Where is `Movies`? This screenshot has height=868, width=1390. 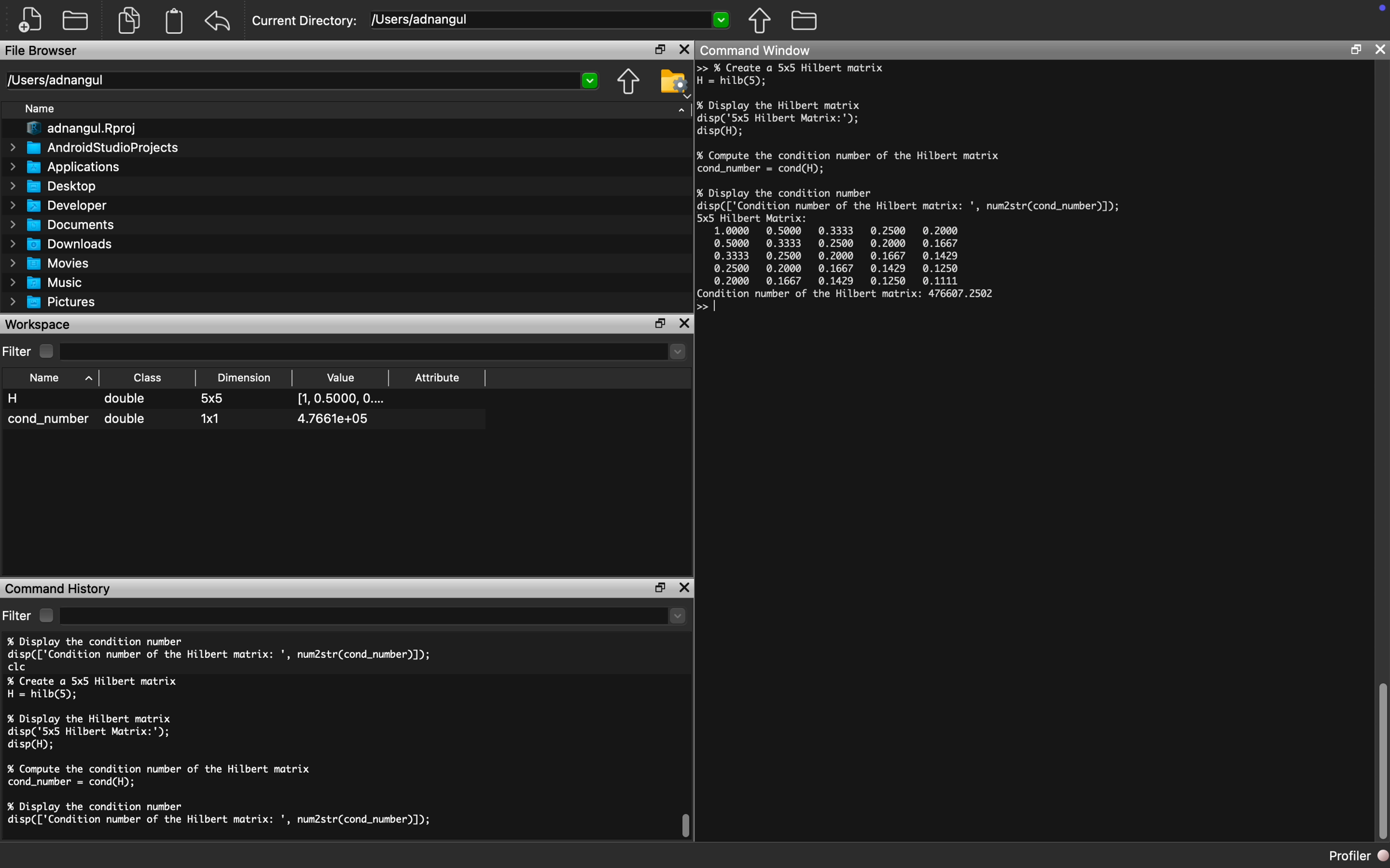
Movies is located at coordinates (48, 263).